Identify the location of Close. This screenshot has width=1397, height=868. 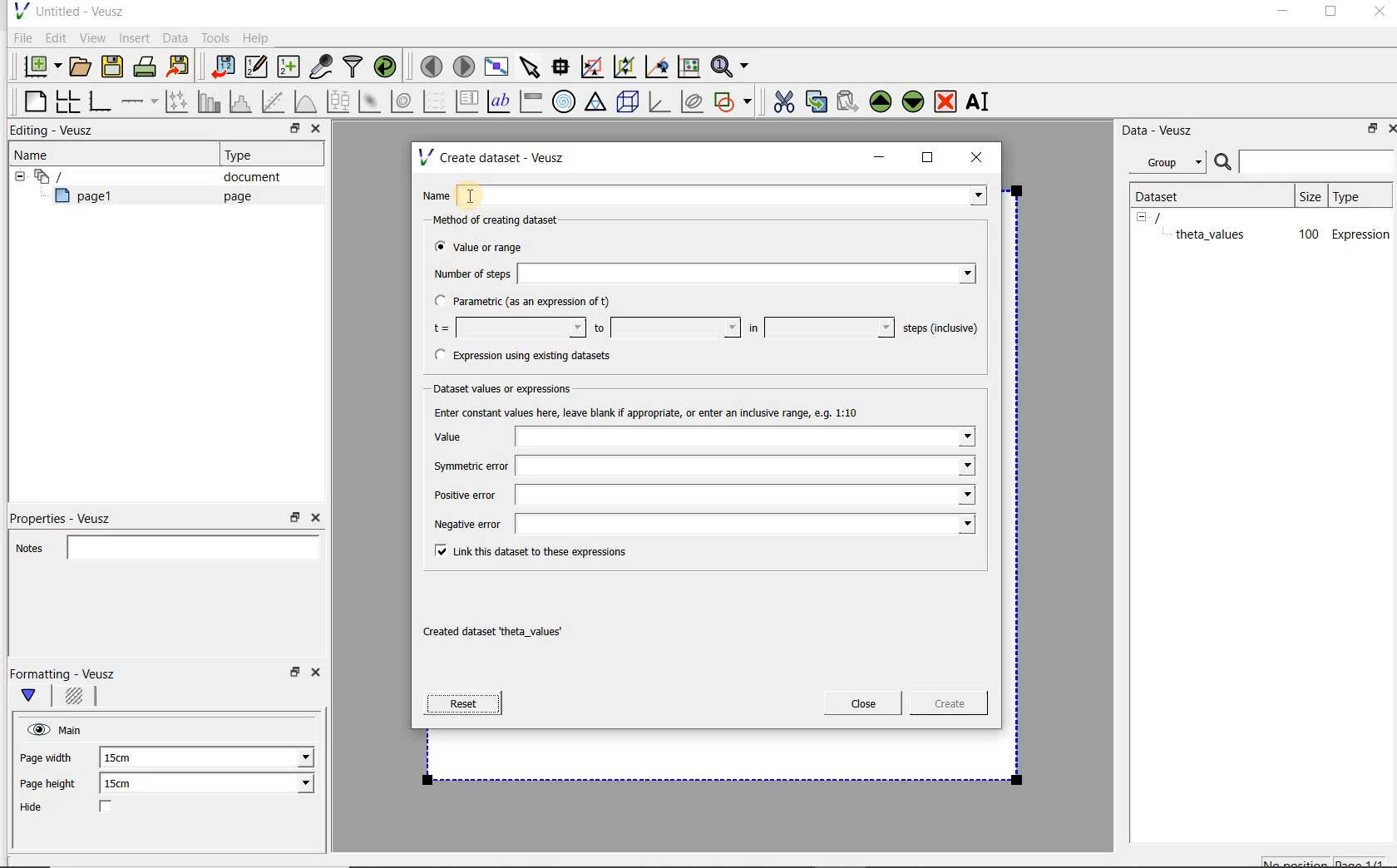
(1378, 14).